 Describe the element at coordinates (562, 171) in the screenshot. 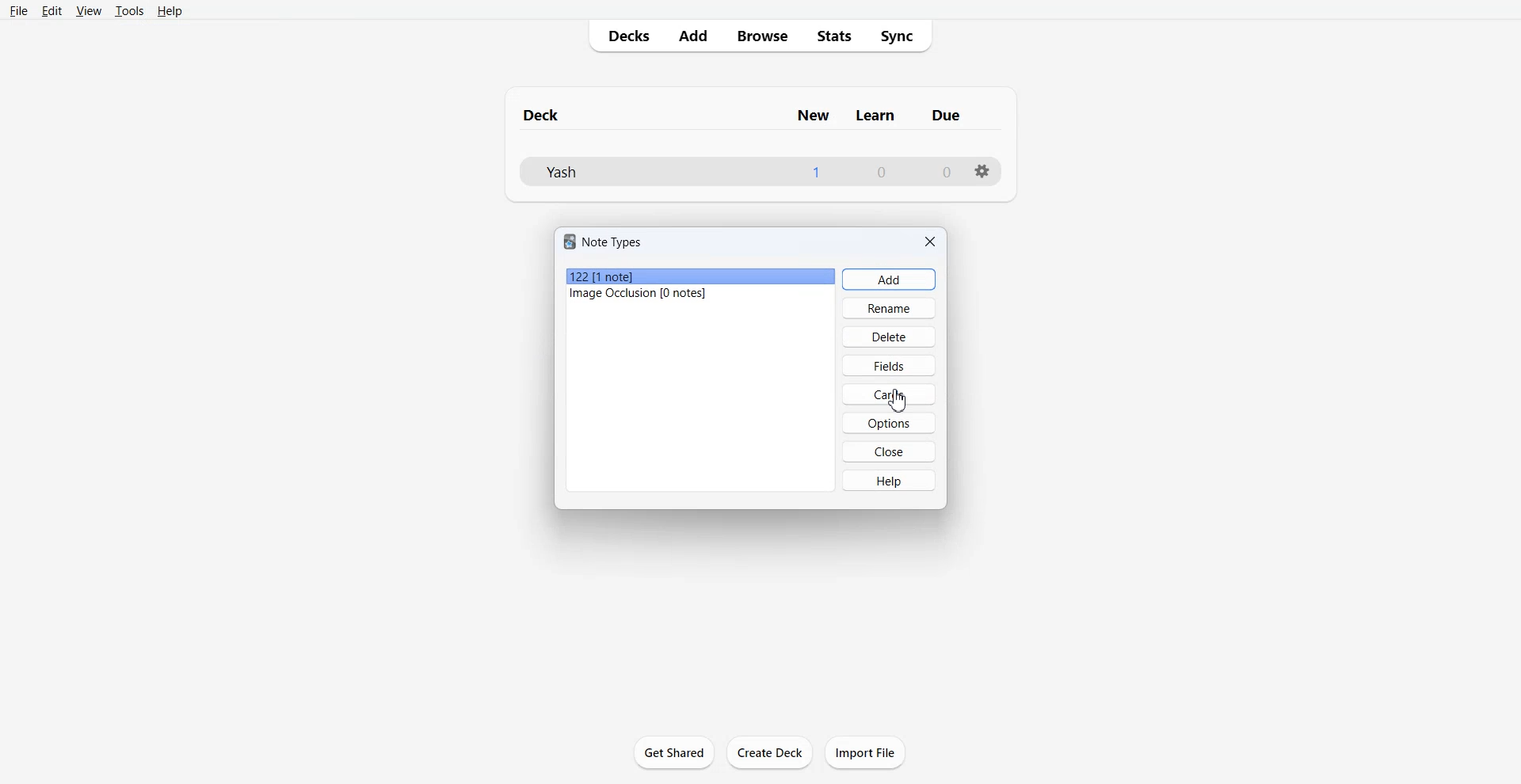

I see `Yash` at that location.